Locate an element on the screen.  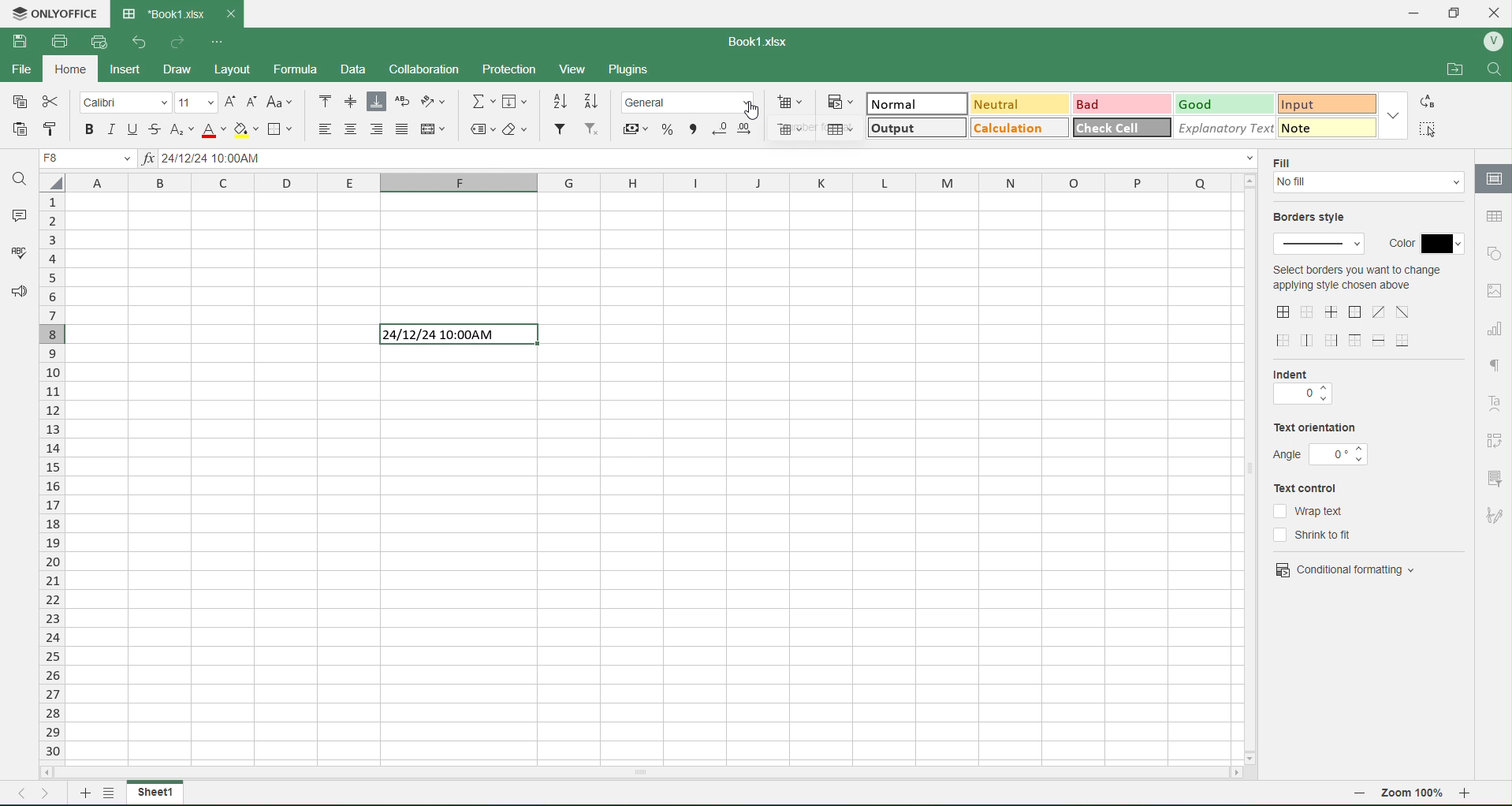
find is located at coordinates (1499, 69).